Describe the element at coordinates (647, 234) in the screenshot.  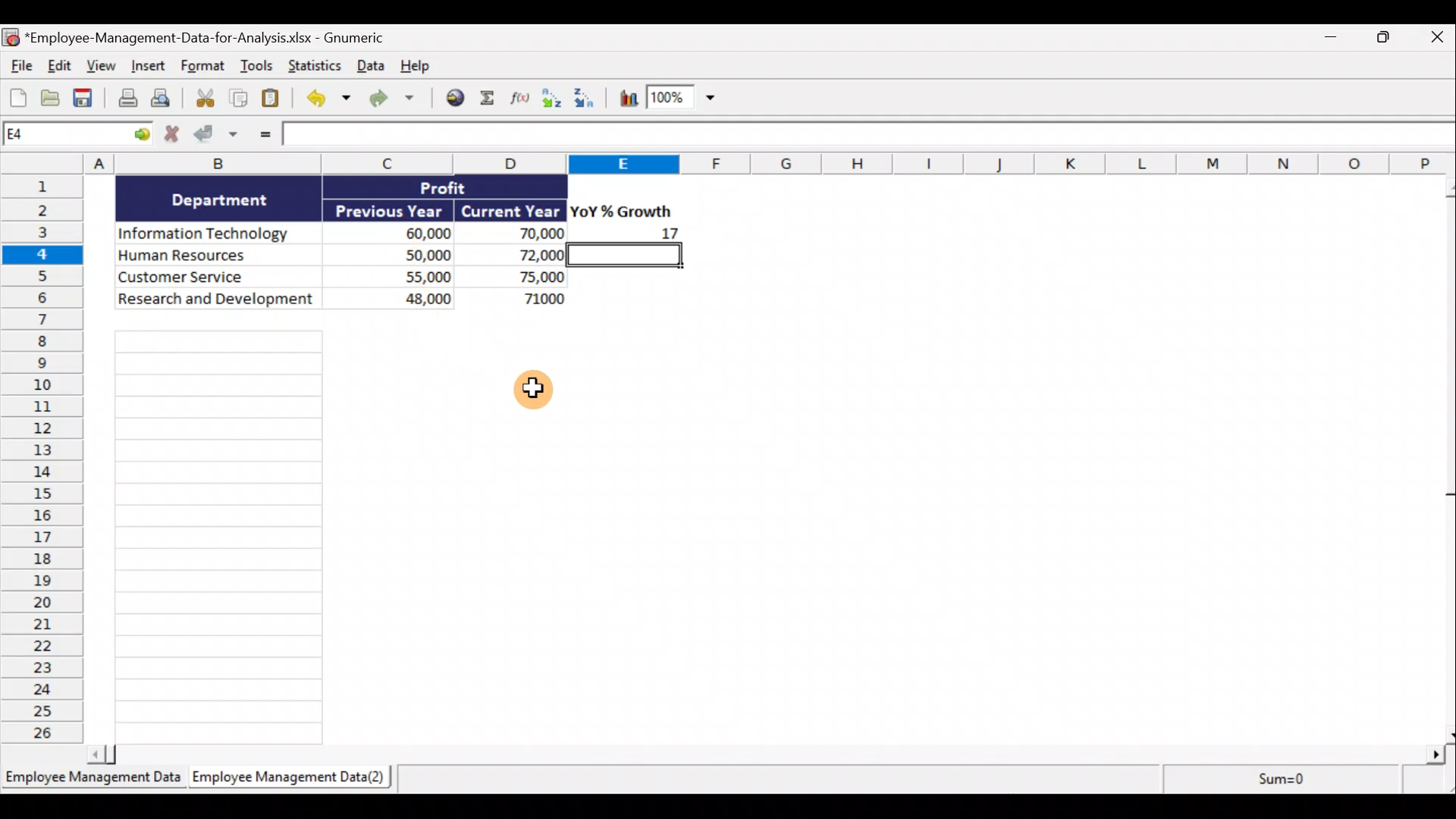
I see `17` at that location.